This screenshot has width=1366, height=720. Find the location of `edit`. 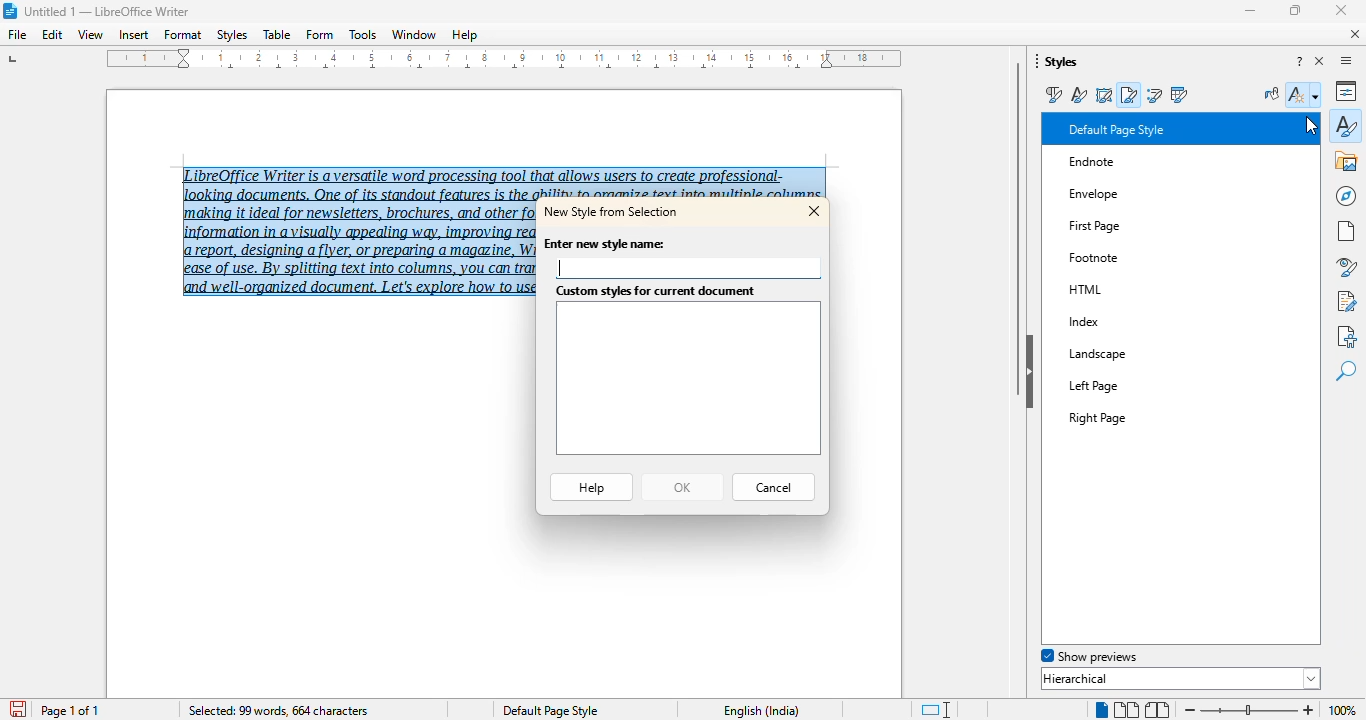

edit is located at coordinates (53, 35).